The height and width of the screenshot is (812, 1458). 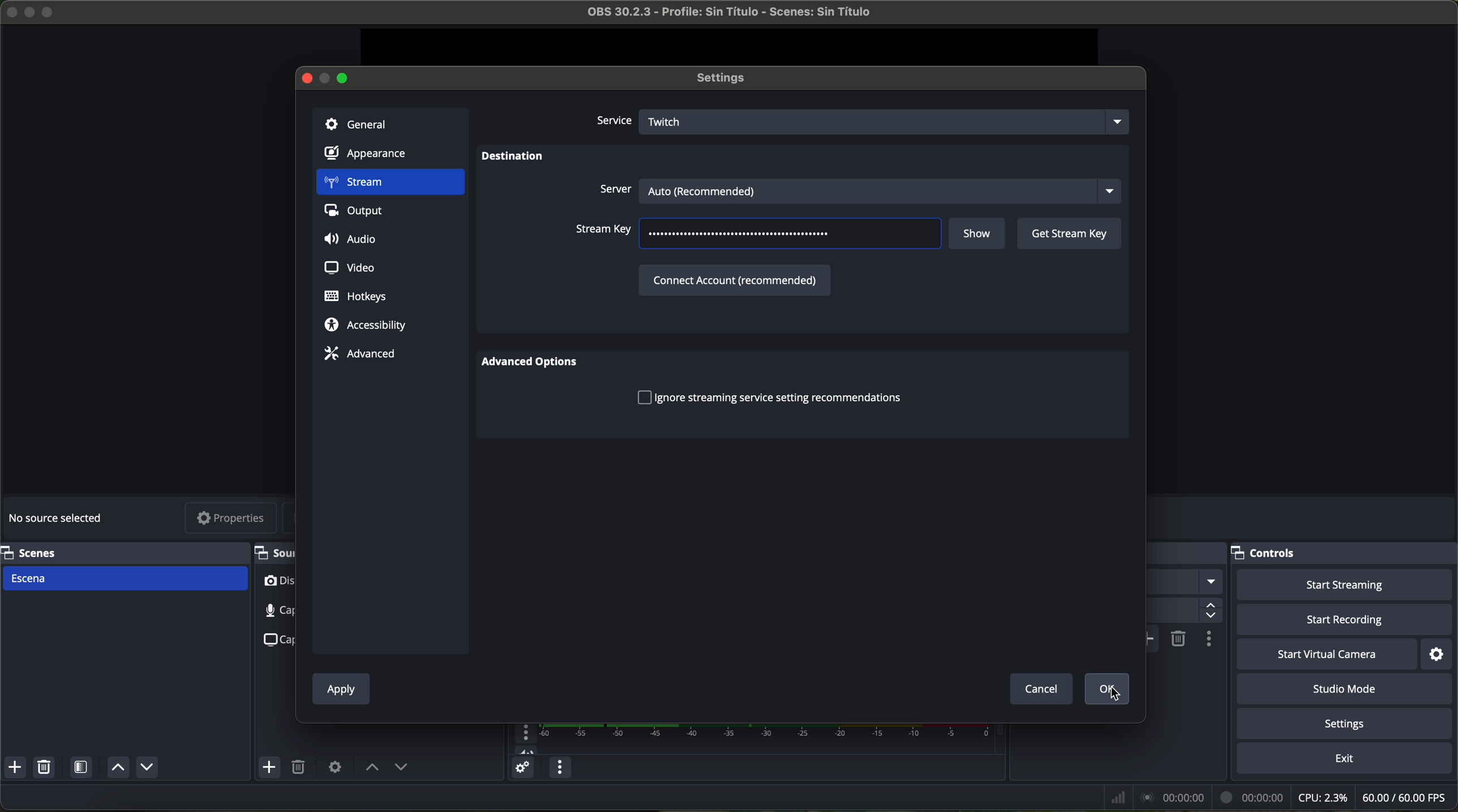 What do you see at coordinates (341, 691) in the screenshot?
I see `apply` at bounding box center [341, 691].